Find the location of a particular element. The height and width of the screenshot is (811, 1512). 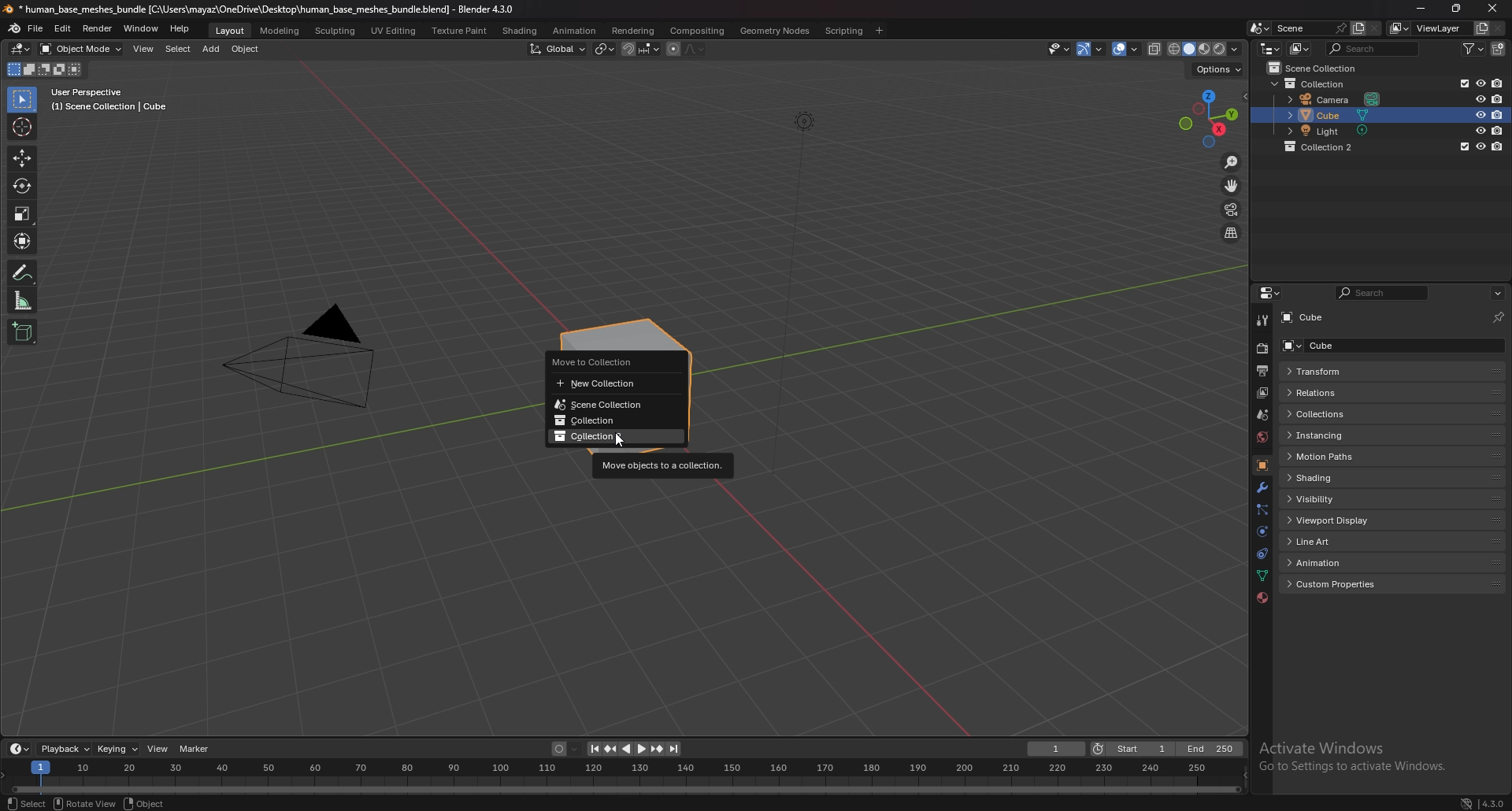

current frame is located at coordinates (1055, 750).